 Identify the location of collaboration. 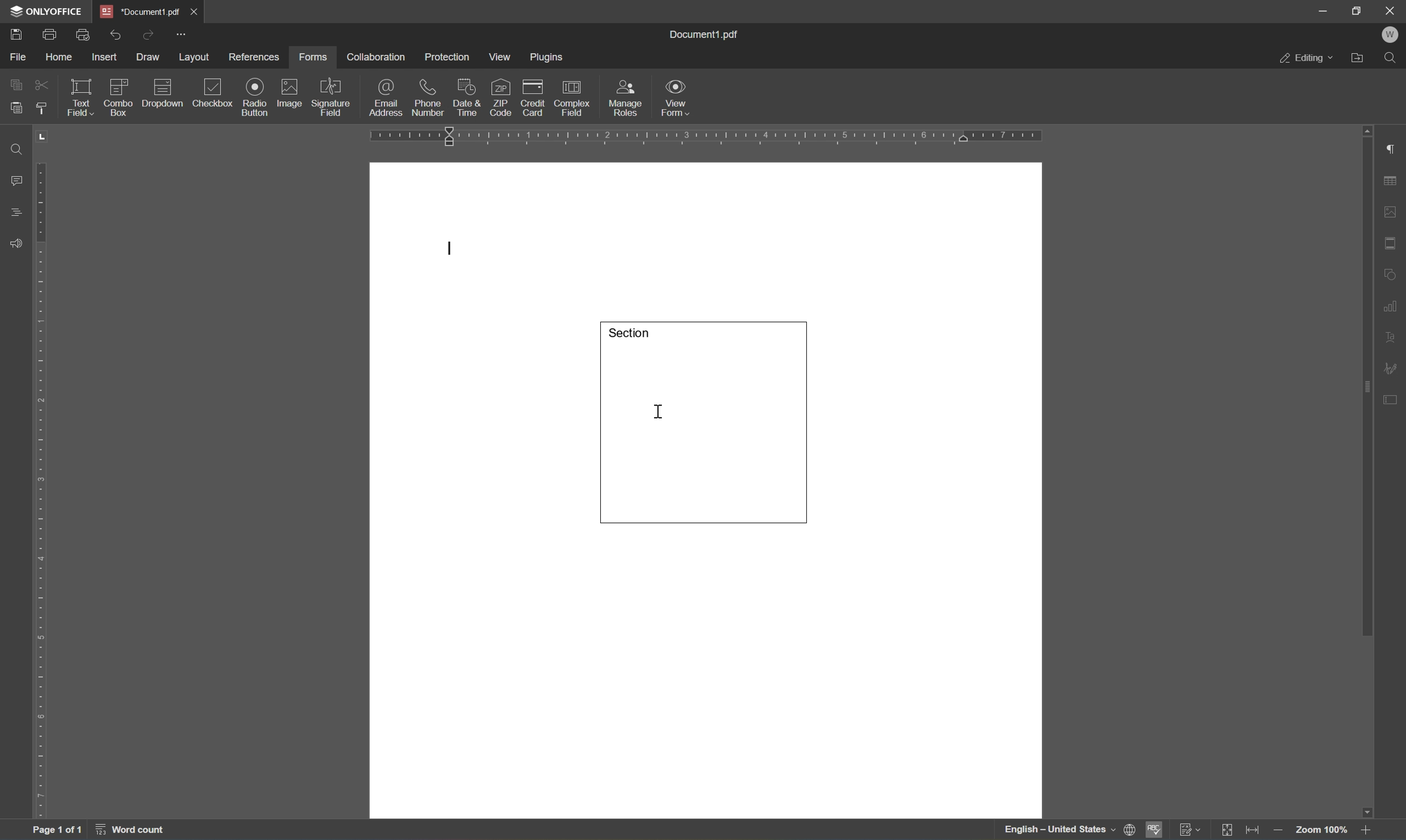
(376, 57).